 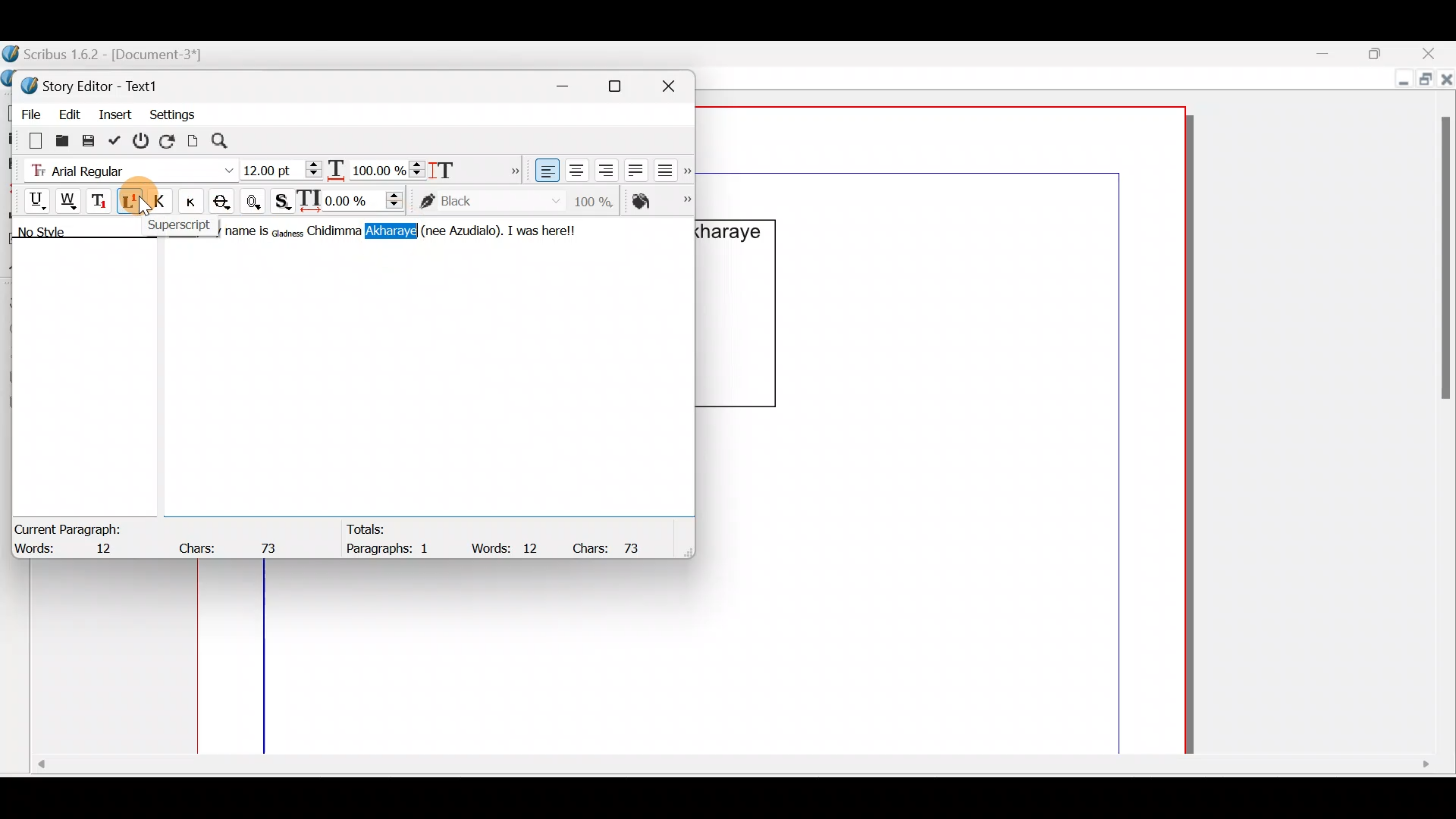 I want to click on Scaling height of characters, so click(x=464, y=165).